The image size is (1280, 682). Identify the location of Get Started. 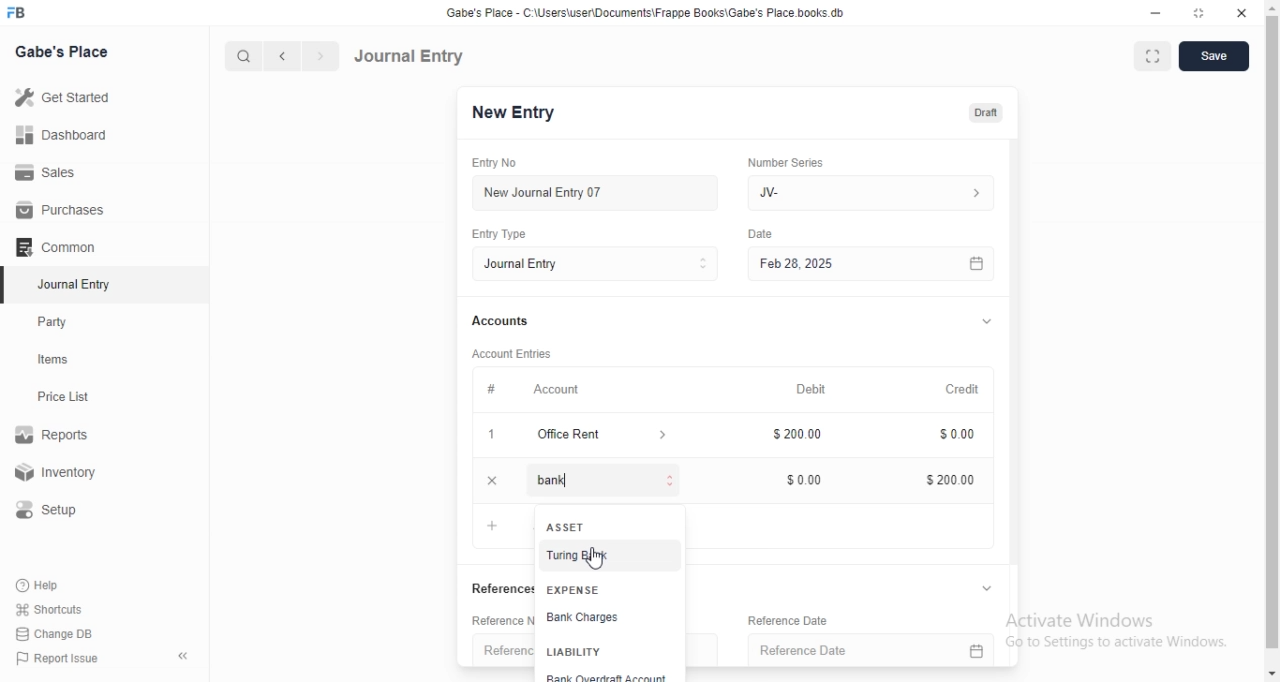
(61, 99).